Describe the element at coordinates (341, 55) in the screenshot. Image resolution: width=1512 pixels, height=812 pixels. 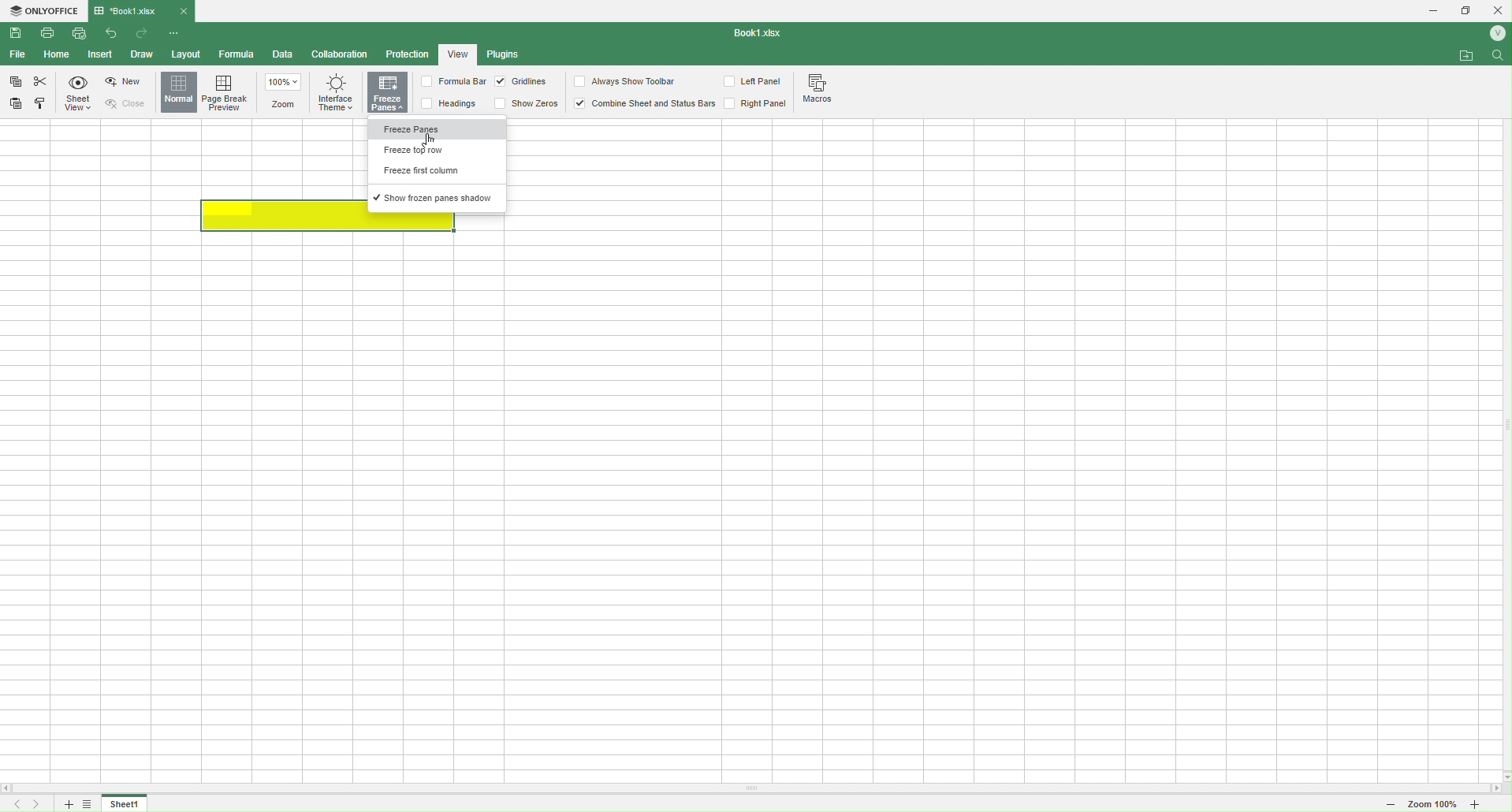
I see `Collaboration` at that location.